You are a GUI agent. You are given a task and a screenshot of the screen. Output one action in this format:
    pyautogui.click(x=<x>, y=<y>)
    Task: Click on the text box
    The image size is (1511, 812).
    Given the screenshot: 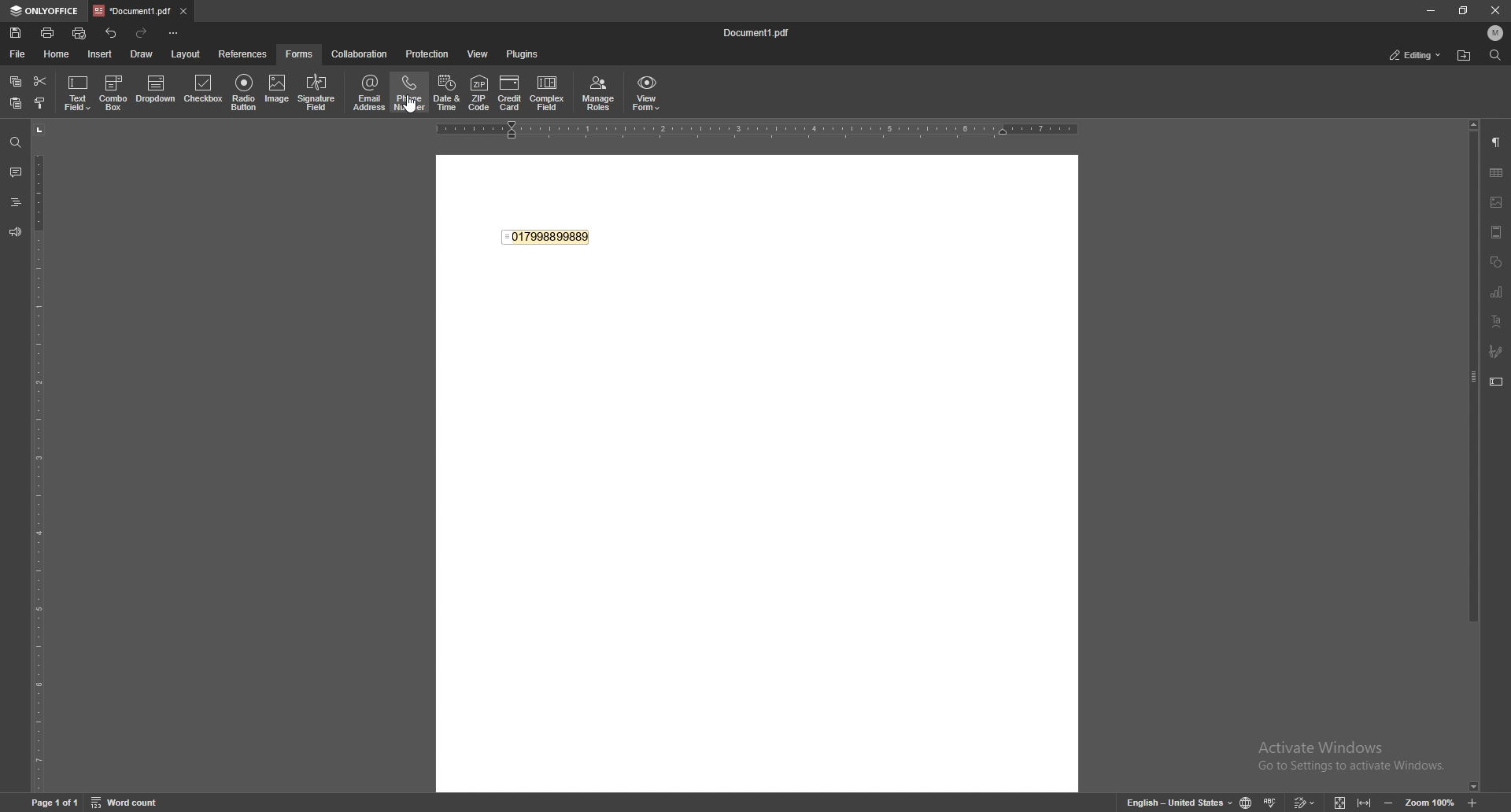 What is the action you would take?
    pyautogui.click(x=1495, y=382)
    